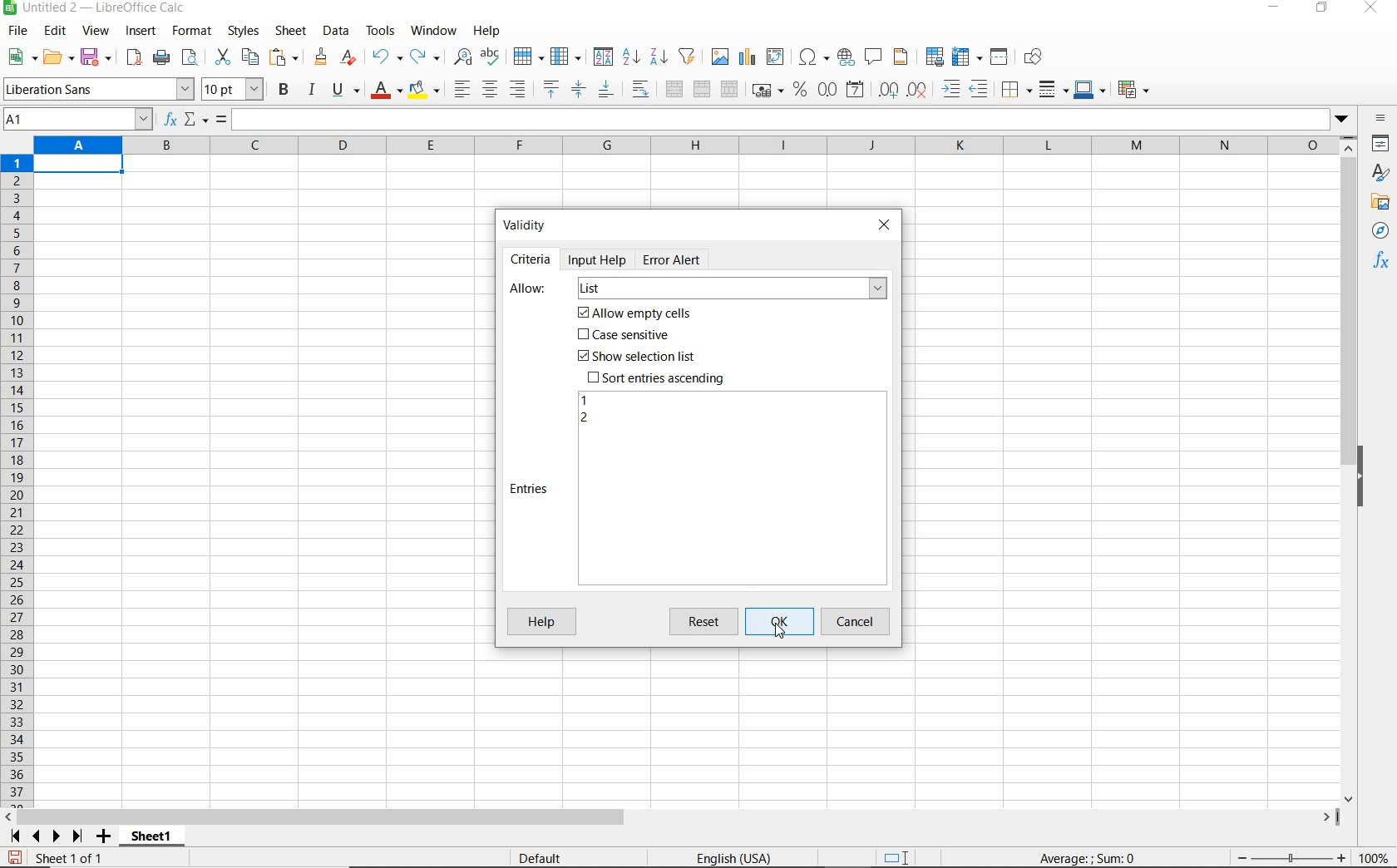 Image resolution: width=1397 pixels, height=868 pixels. Describe the element at coordinates (1285, 857) in the screenshot. I see `zoom out or zoom in` at that location.